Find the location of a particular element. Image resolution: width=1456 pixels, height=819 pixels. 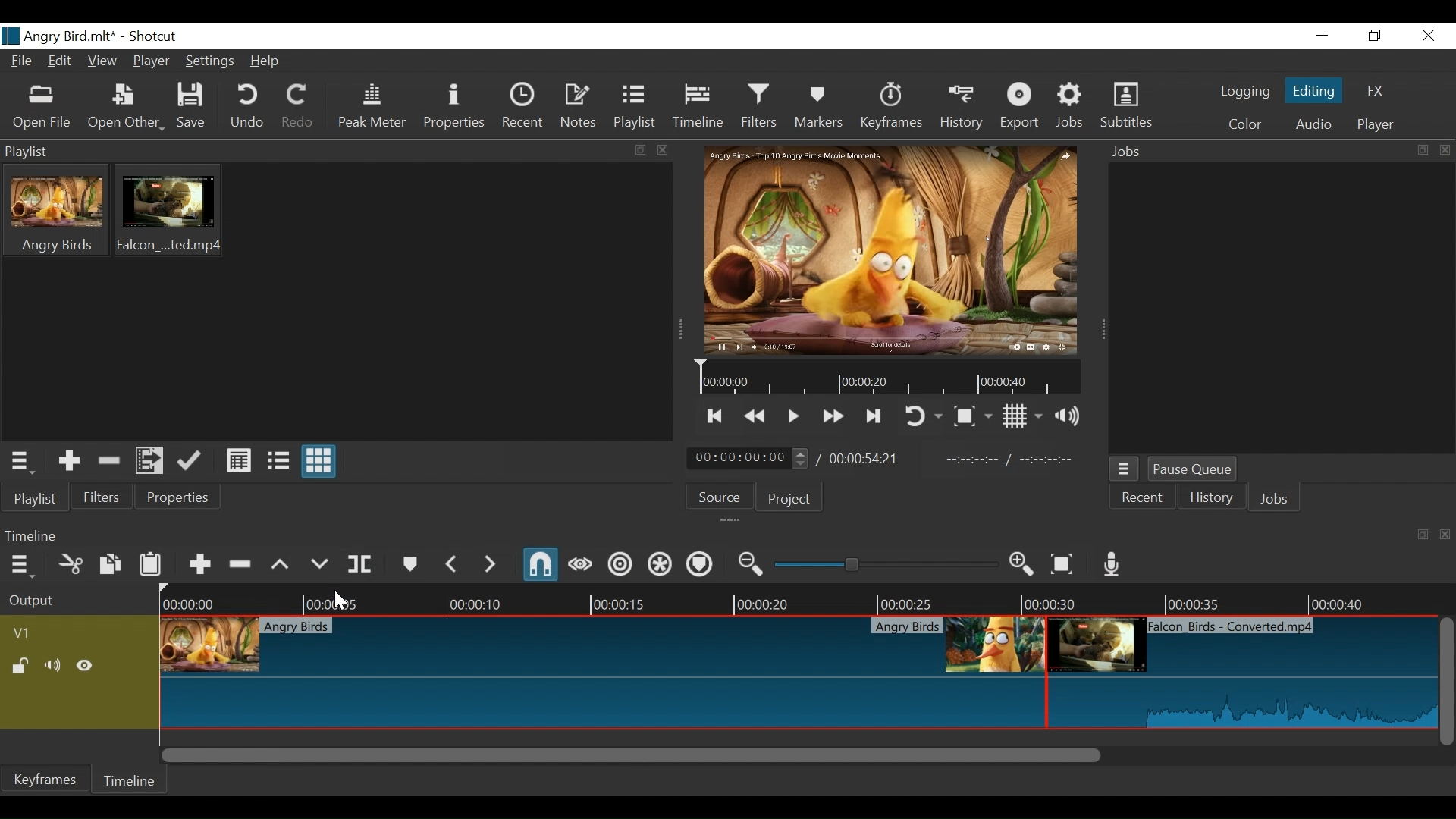

Play backward quickly is located at coordinates (757, 417).